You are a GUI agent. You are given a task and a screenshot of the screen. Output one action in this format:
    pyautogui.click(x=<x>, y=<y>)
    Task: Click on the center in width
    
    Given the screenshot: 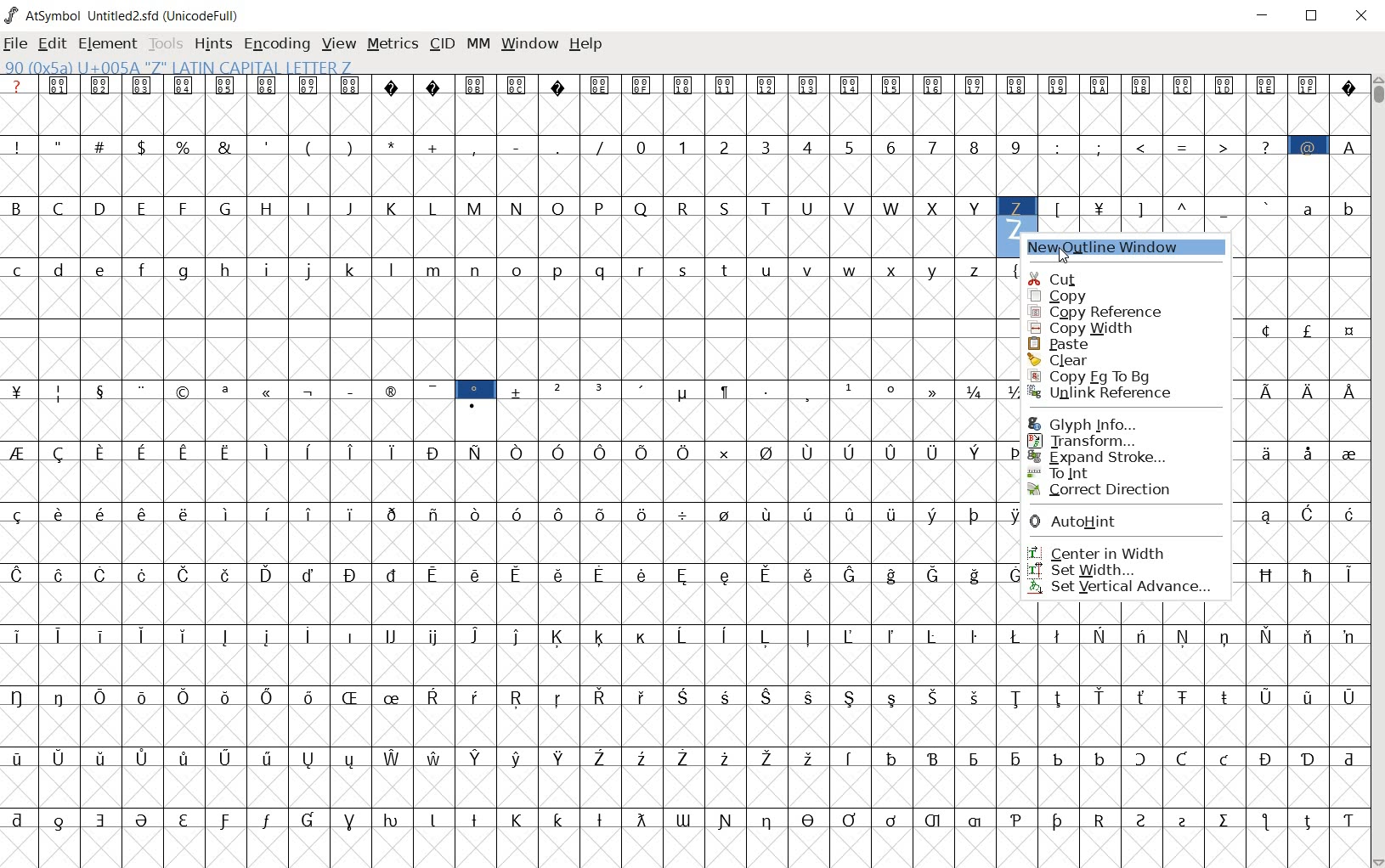 What is the action you would take?
    pyautogui.click(x=1105, y=552)
    